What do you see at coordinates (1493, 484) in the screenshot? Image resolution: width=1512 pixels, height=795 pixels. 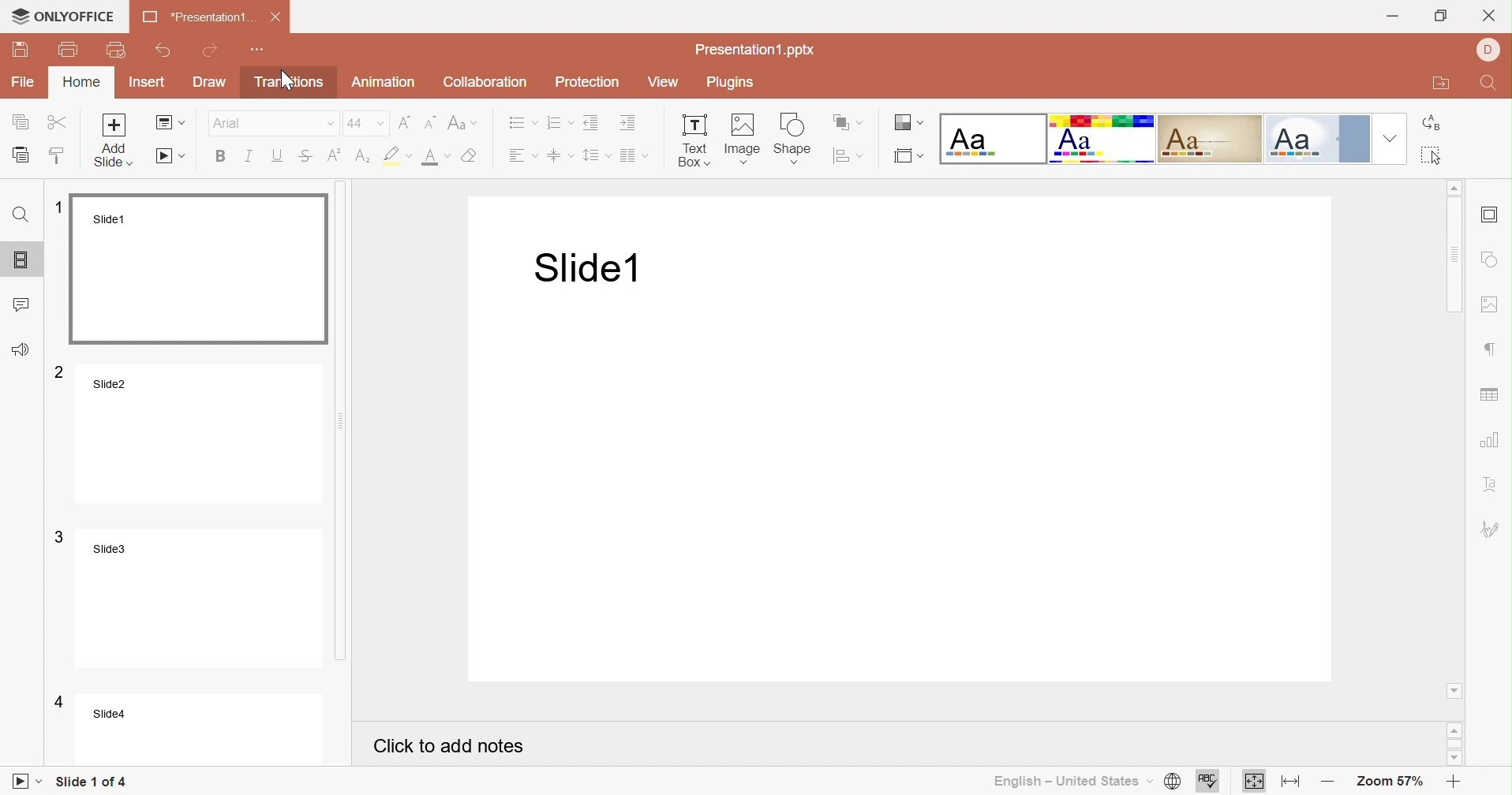 I see `Text art settings` at bounding box center [1493, 484].